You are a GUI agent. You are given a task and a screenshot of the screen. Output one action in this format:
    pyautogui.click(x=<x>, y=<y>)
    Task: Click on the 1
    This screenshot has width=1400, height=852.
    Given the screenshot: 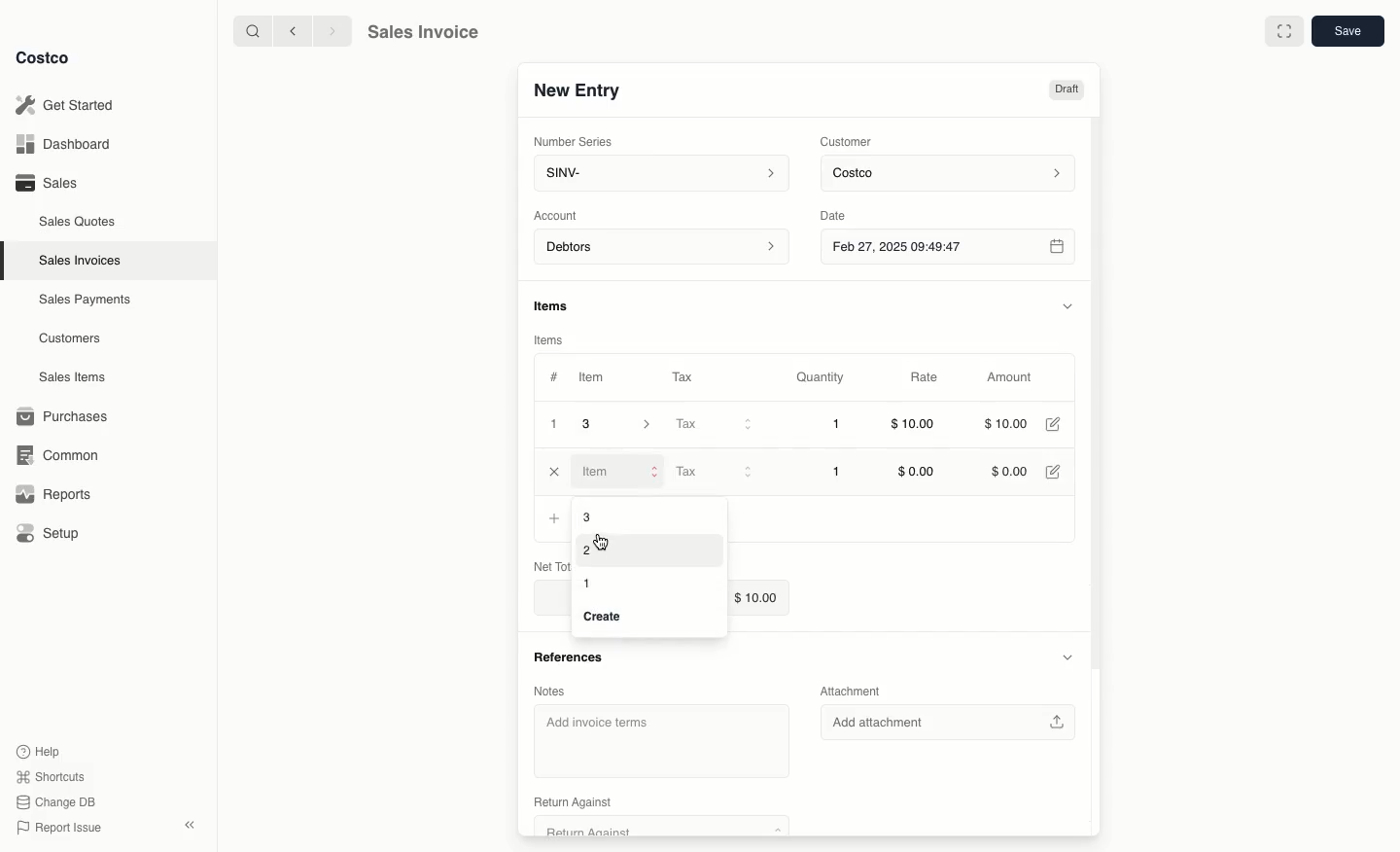 What is the action you would take?
    pyautogui.click(x=838, y=472)
    